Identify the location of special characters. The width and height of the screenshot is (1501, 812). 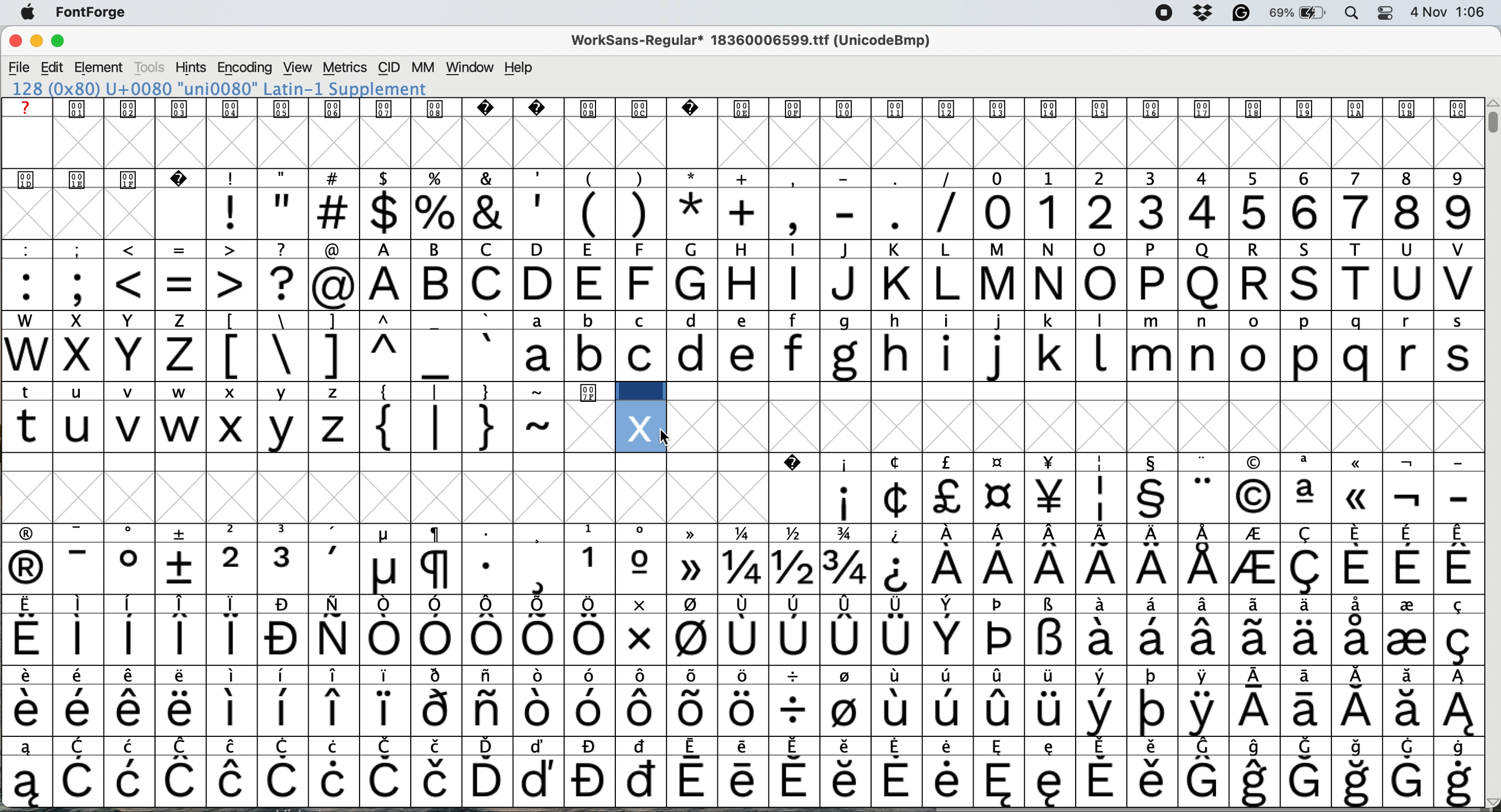
(1144, 498).